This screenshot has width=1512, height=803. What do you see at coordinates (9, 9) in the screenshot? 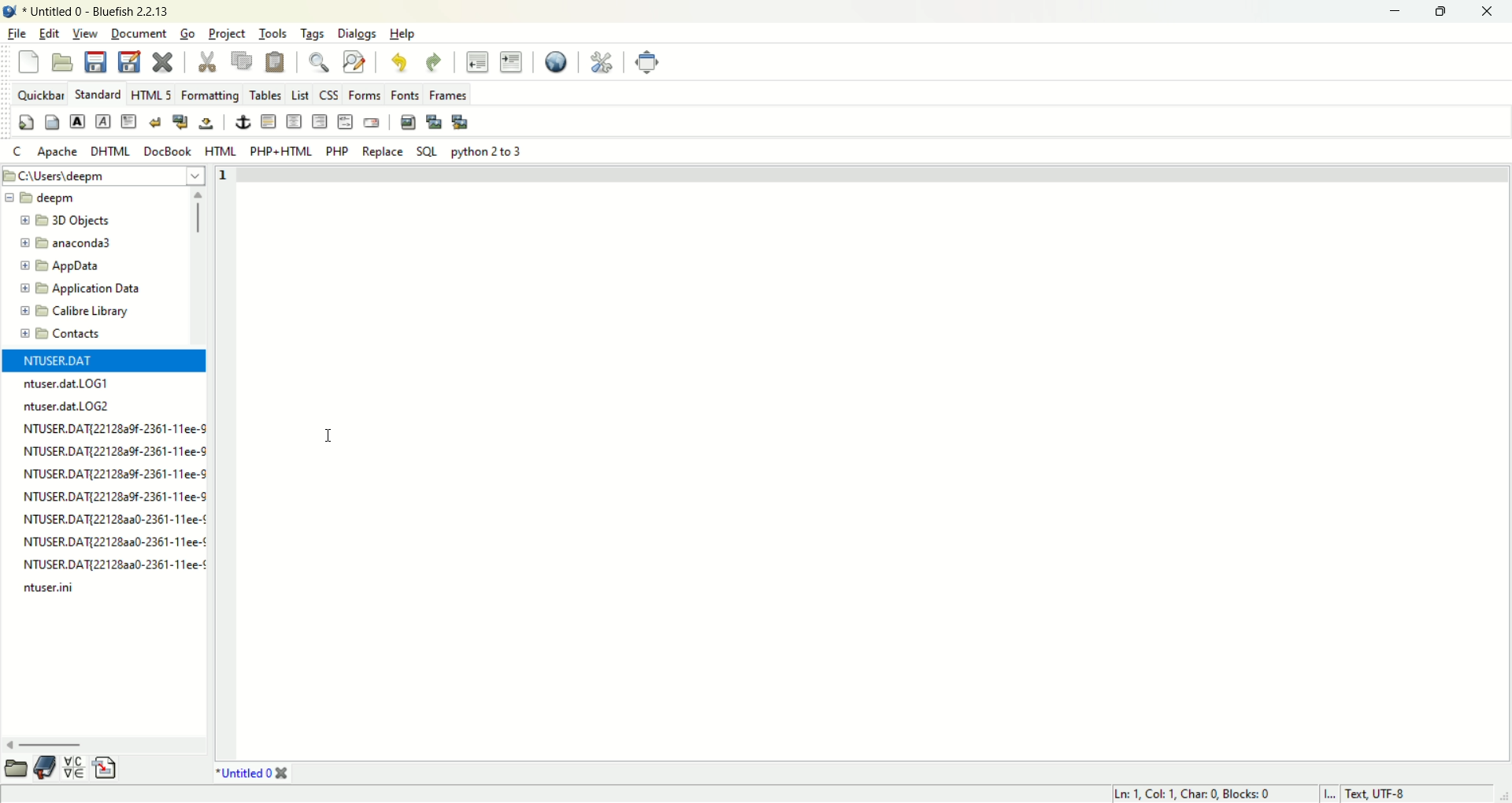
I see `application icon` at bounding box center [9, 9].